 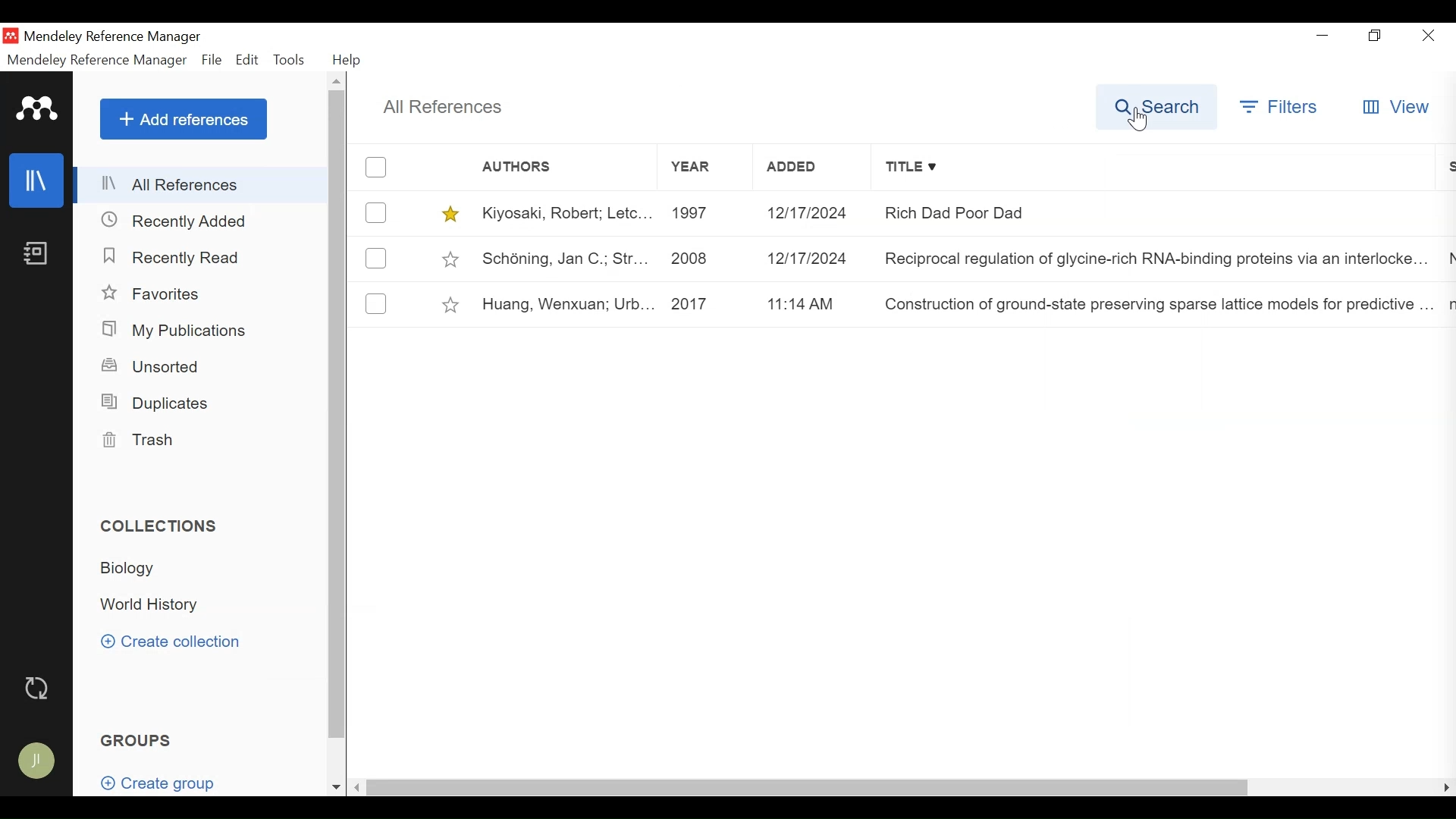 I want to click on Avatar, so click(x=40, y=762).